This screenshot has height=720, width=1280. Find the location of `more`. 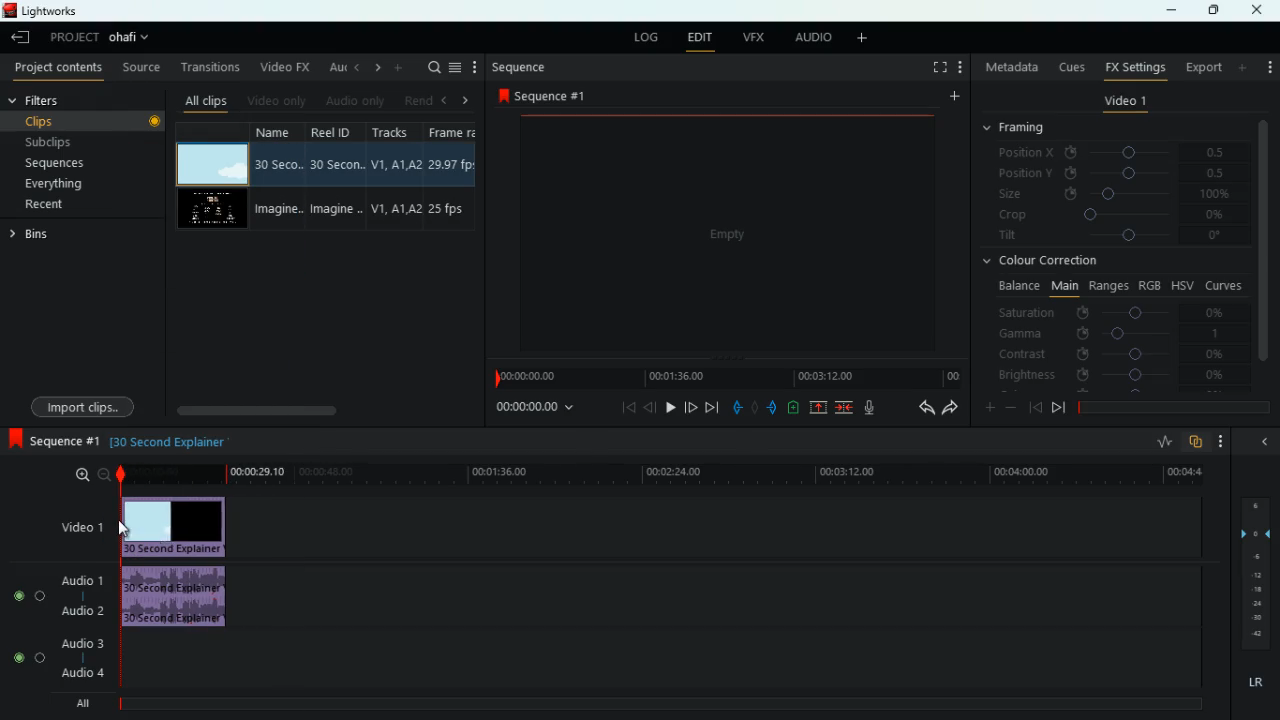

more is located at coordinates (475, 66).